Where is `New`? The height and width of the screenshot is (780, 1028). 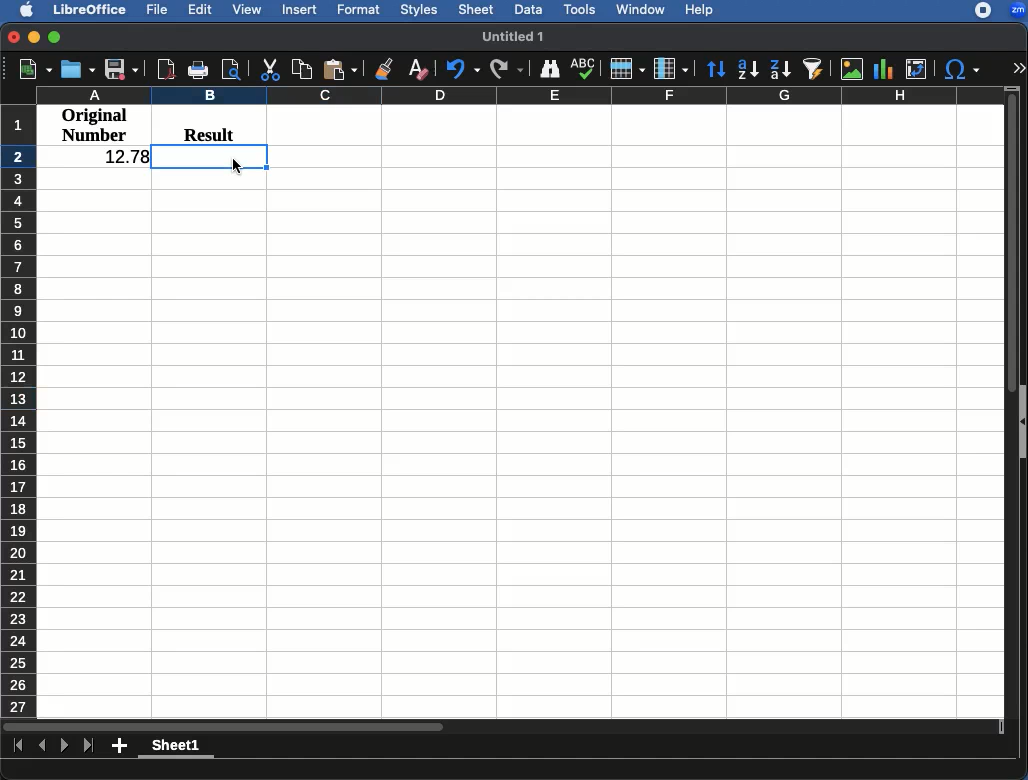
New is located at coordinates (27, 69).